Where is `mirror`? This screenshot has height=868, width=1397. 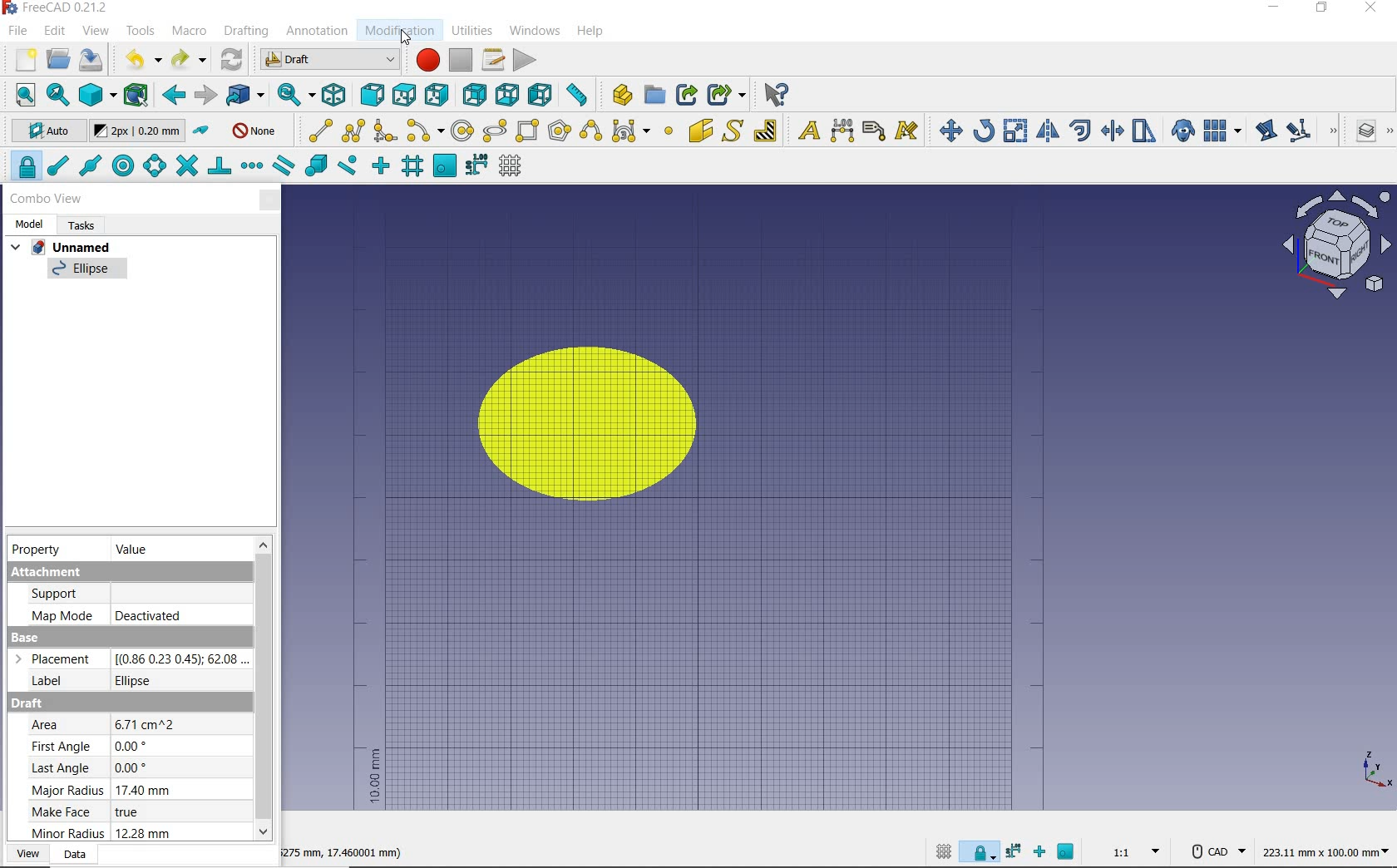
mirror is located at coordinates (1049, 130).